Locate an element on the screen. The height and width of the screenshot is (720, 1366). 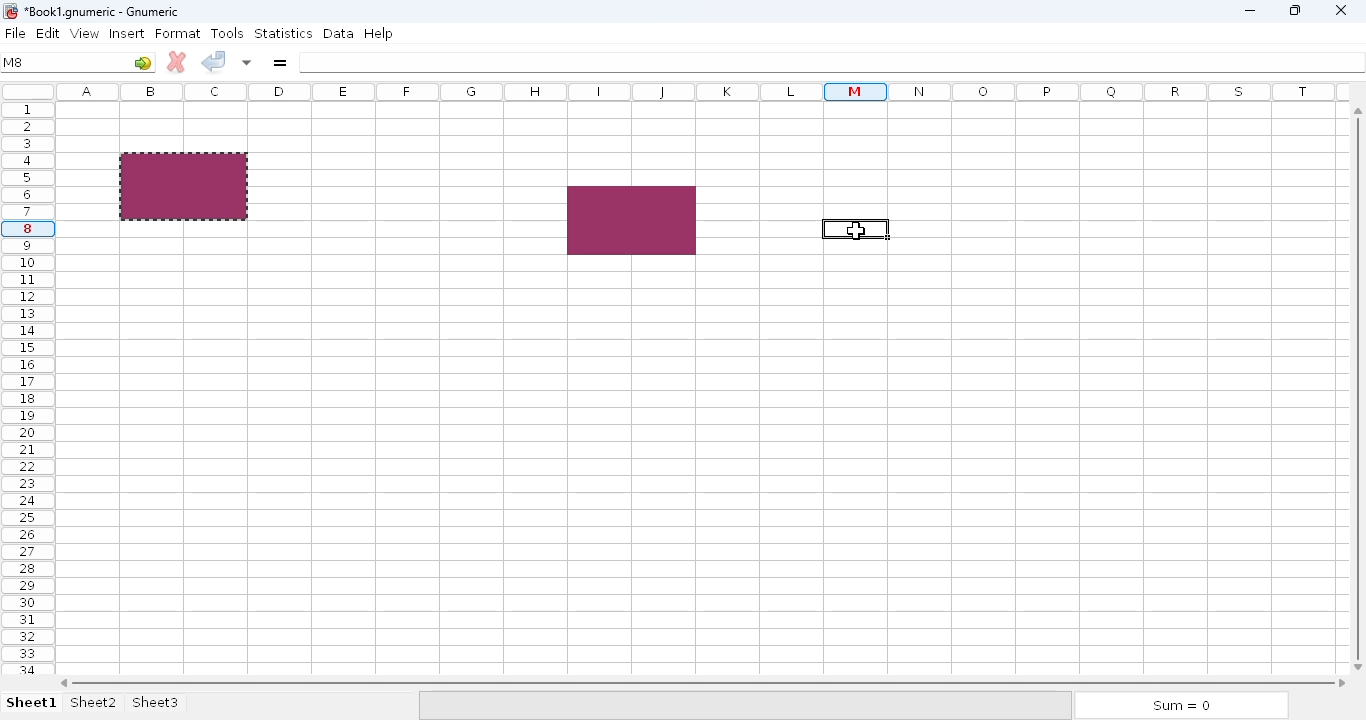
data is located at coordinates (338, 33).